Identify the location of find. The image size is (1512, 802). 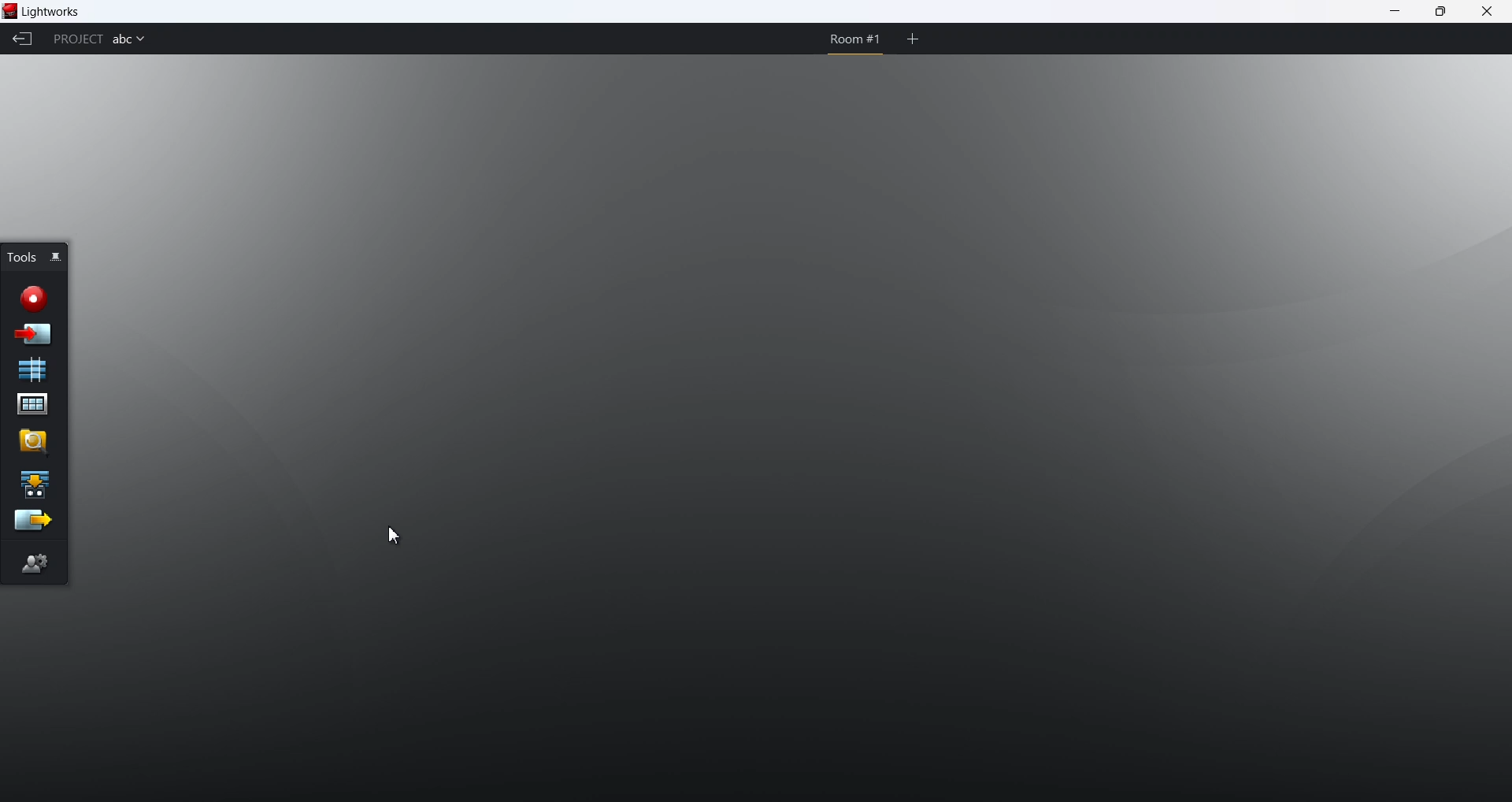
(32, 441).